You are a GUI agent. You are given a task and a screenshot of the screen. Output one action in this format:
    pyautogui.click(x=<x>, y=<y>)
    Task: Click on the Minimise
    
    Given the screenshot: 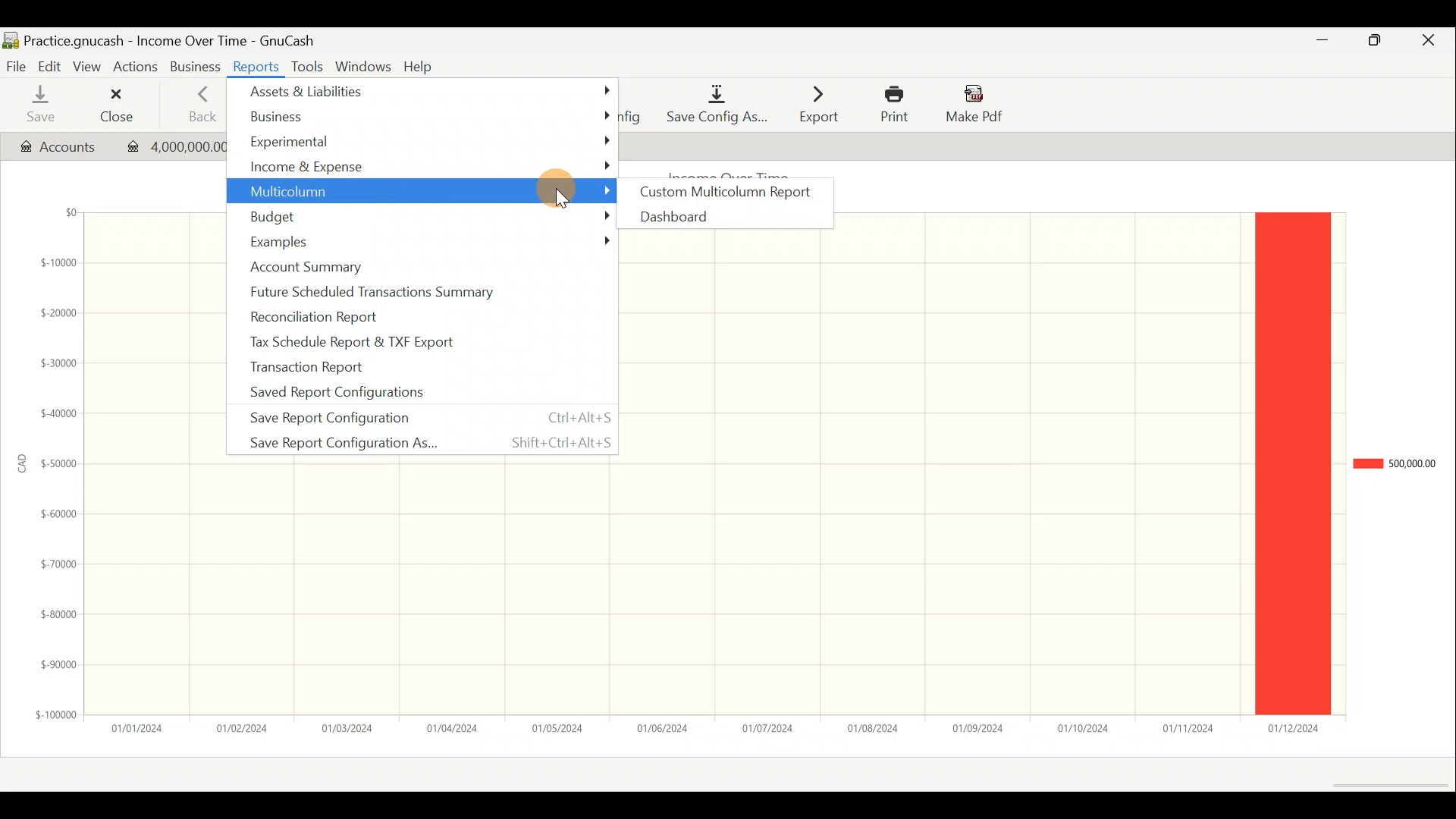 What is the action you would take?
    pyautogui.click(x=1326, y=40)
    